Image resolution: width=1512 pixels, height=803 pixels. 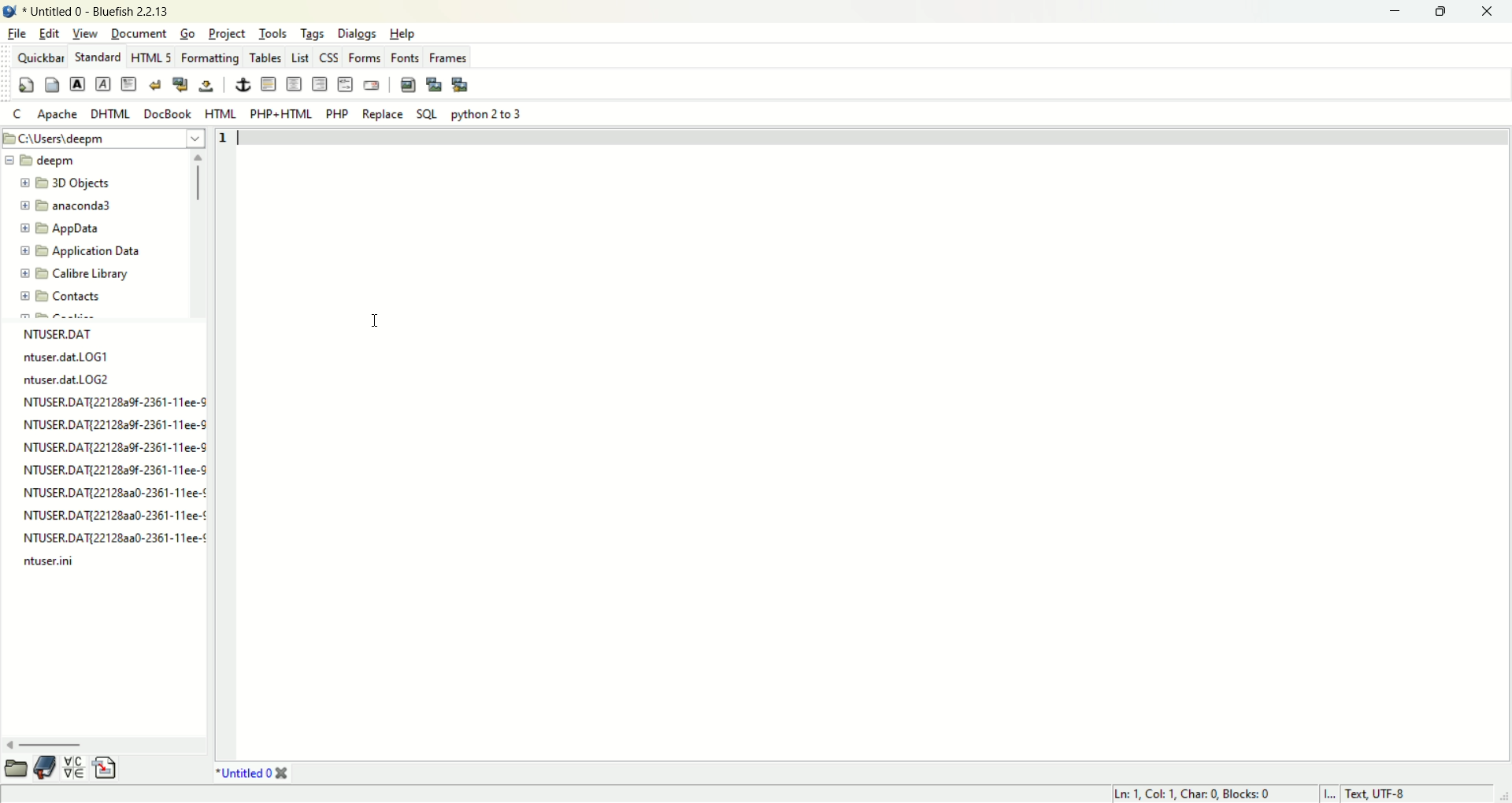 I want to click on multi-thumbnail, so click(x=462, y=82).